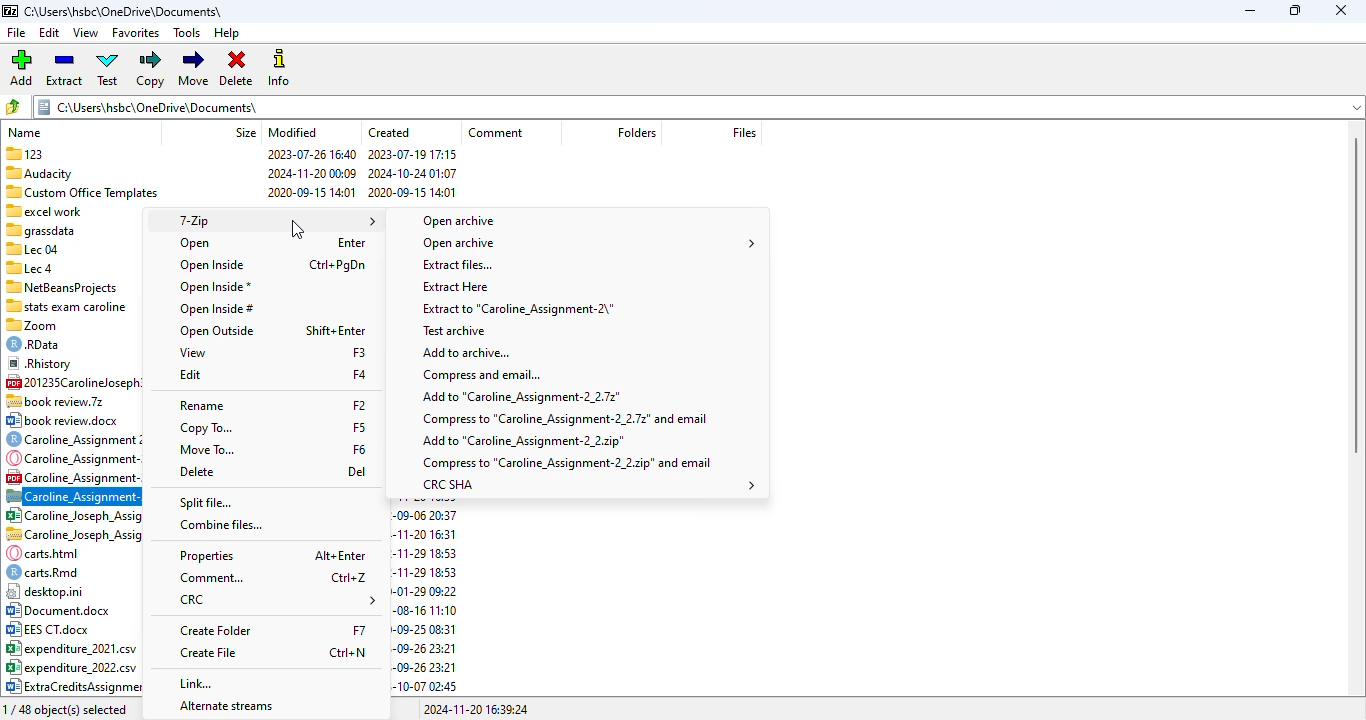  I want to click on open outside, so click(217, 331).